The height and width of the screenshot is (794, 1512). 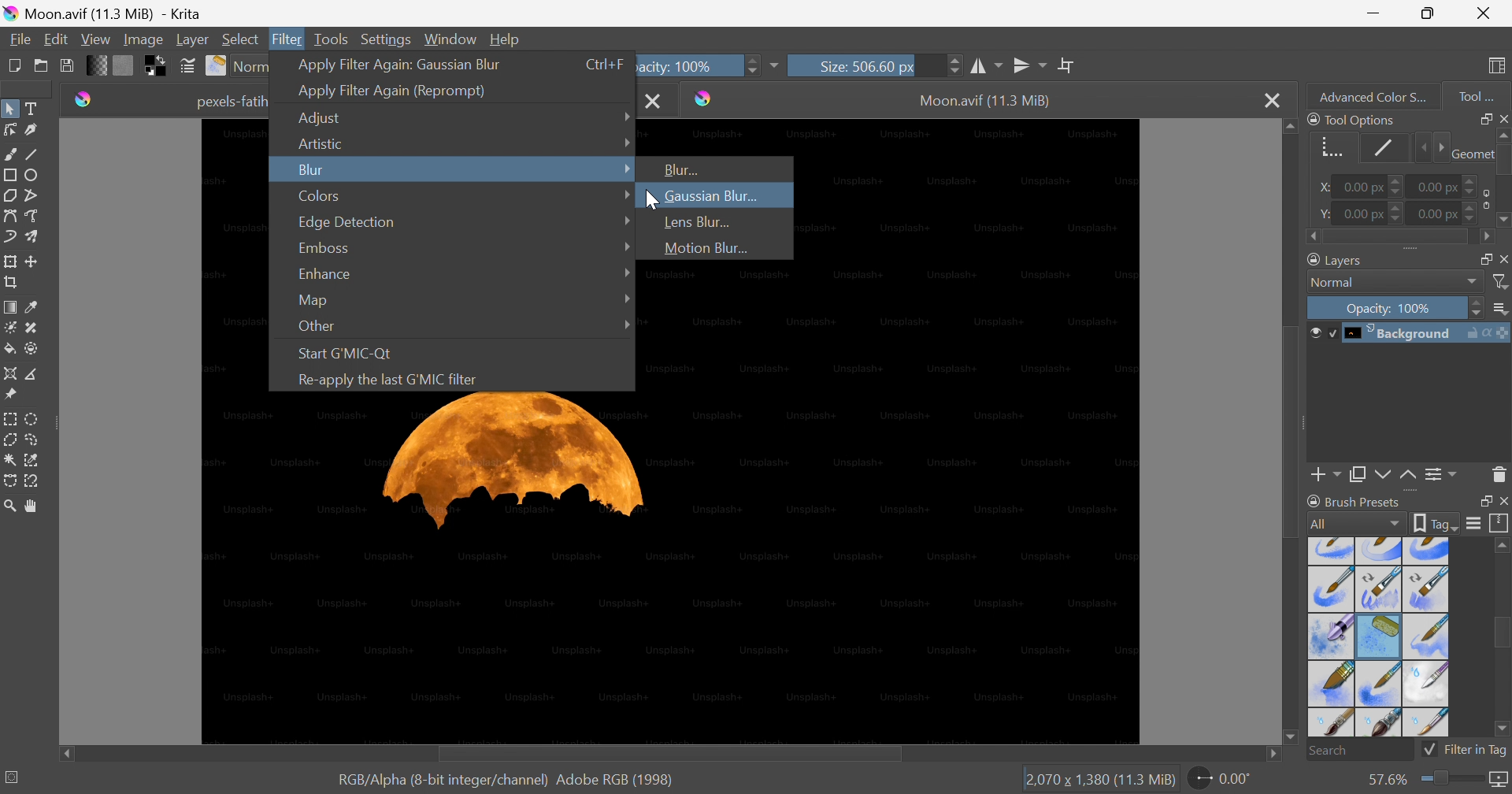 What do you see at coordinates (1065, 64) in the screenshot?
I see `Wrap around mode` at bounding box center [1065, 64].